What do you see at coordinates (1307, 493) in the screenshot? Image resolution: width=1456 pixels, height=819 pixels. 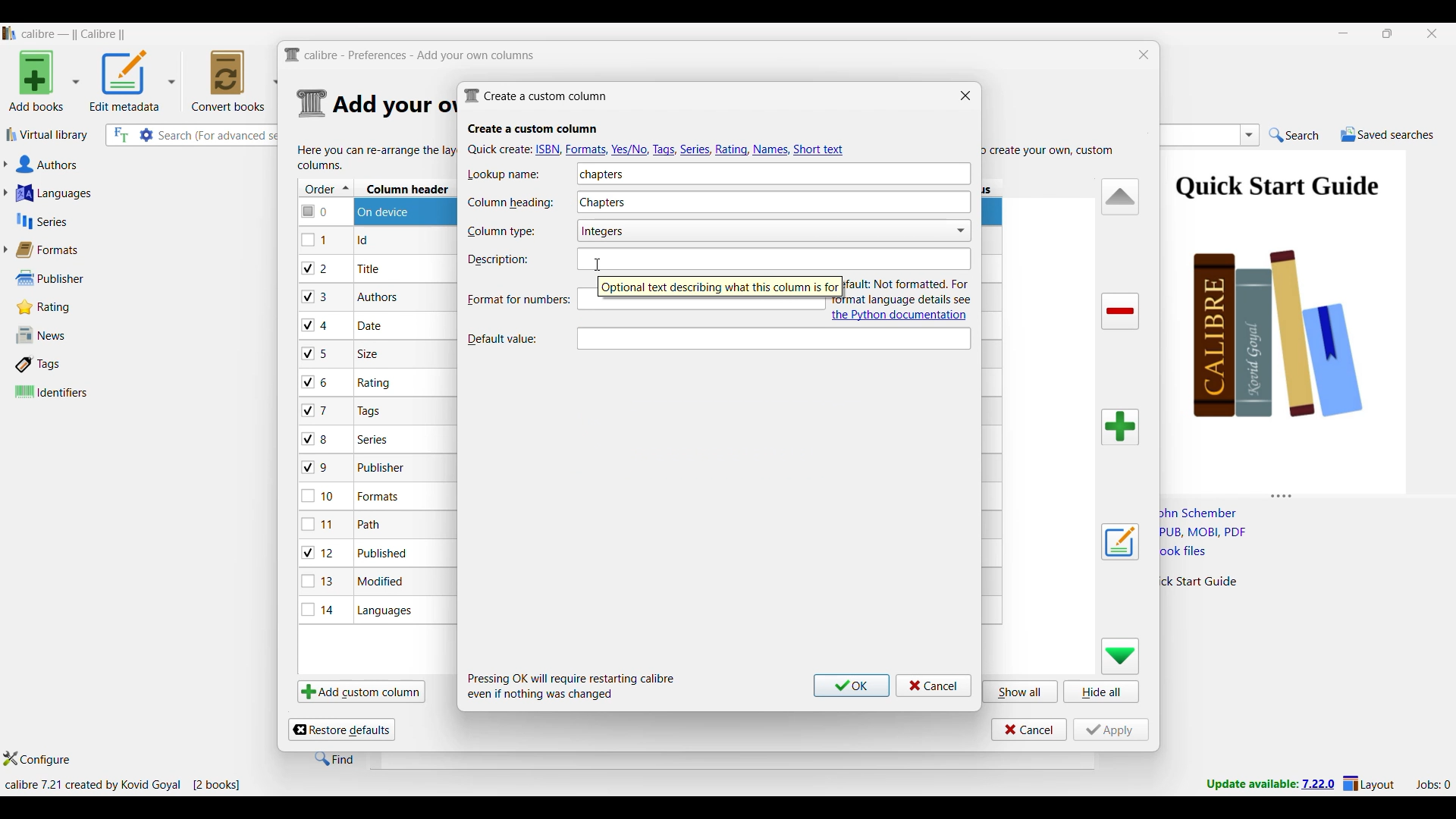 I see `Change height of columns attached to this panel` at bounding box center [1307, 493].